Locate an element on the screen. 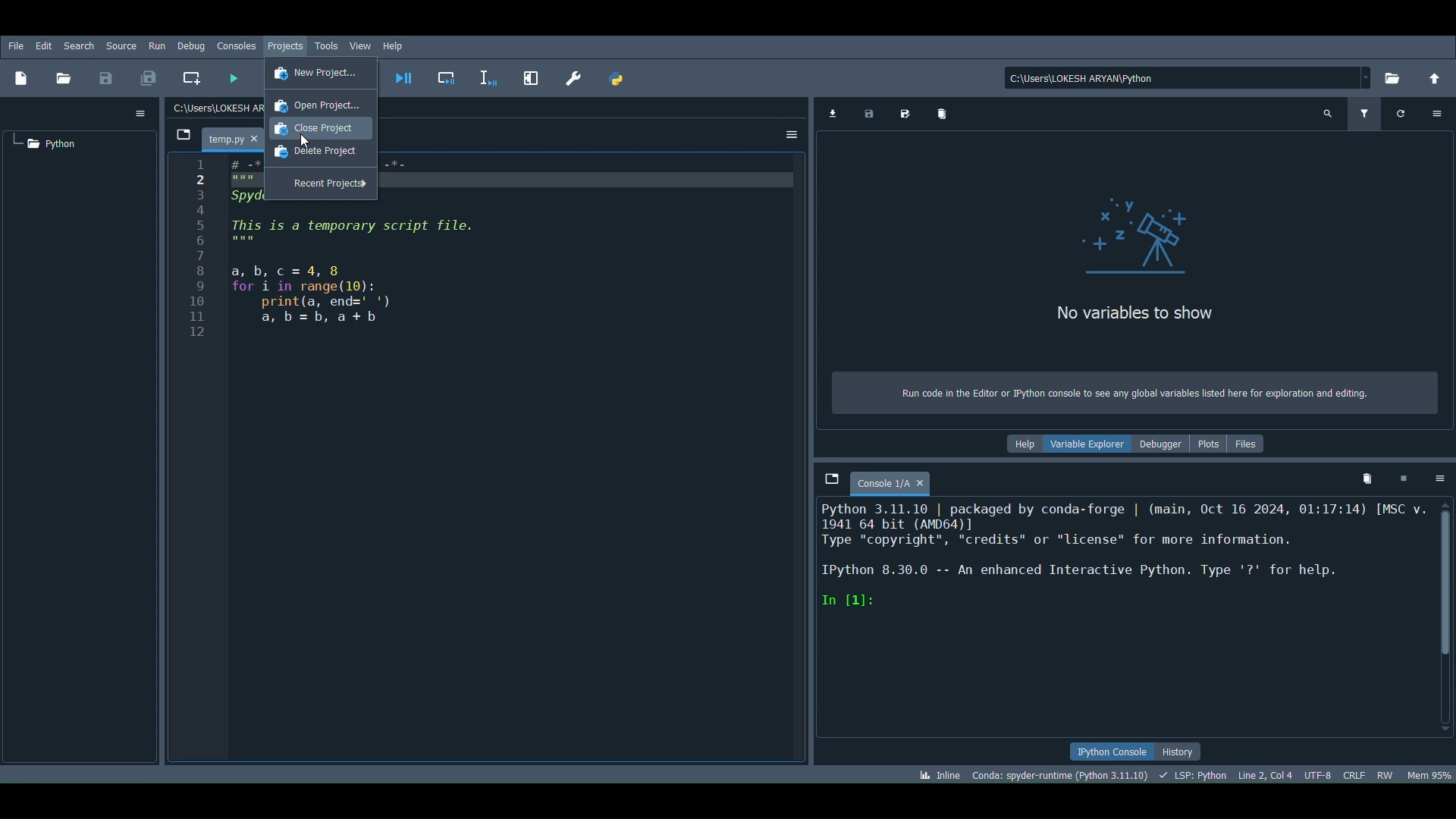 Image resolution: width=1456 pixels, height=819 pixels. Tools is located at coordinates (331, 44).